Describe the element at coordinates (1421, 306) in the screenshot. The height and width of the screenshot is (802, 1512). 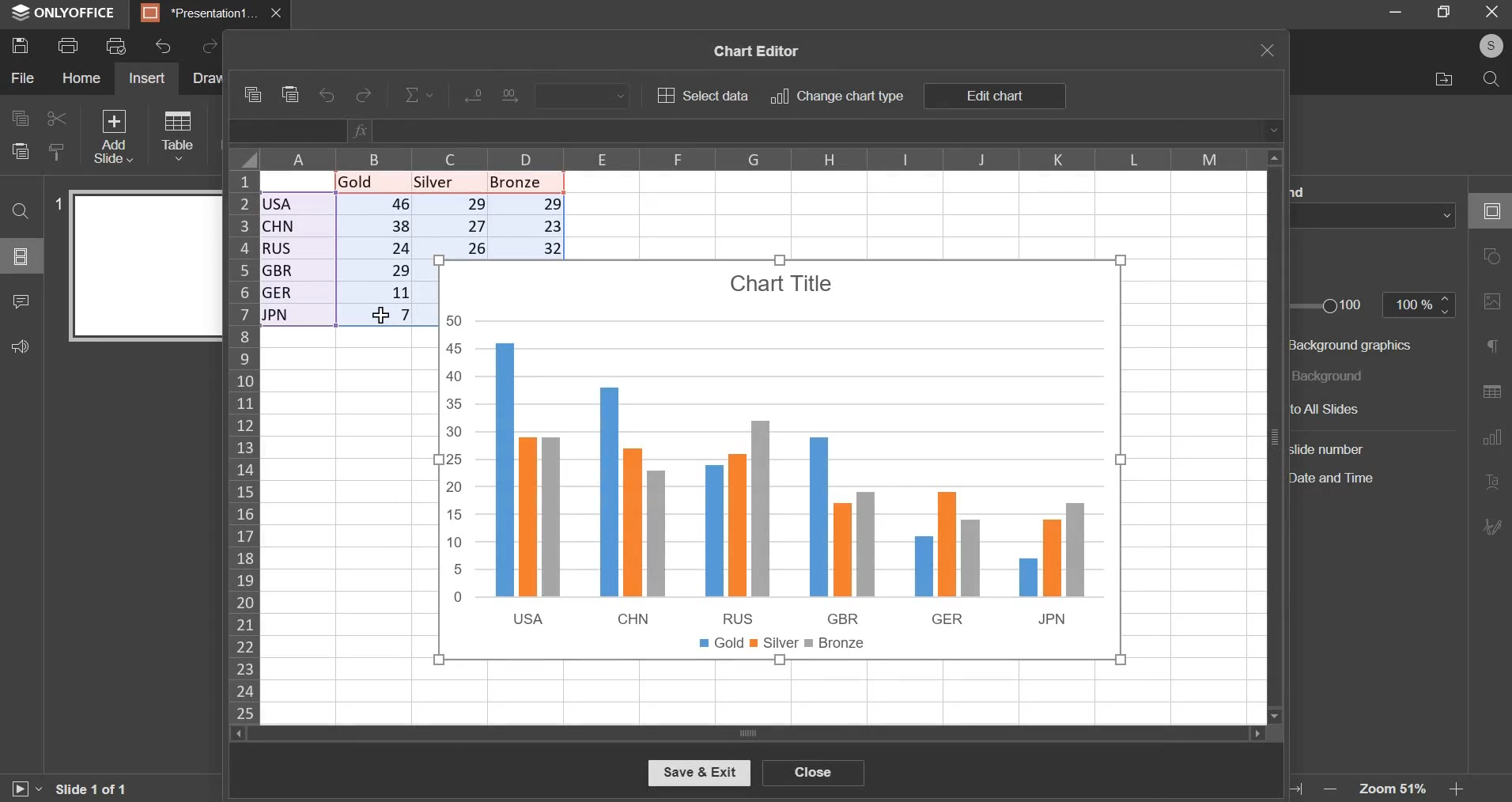
I see `opacity` at that location.